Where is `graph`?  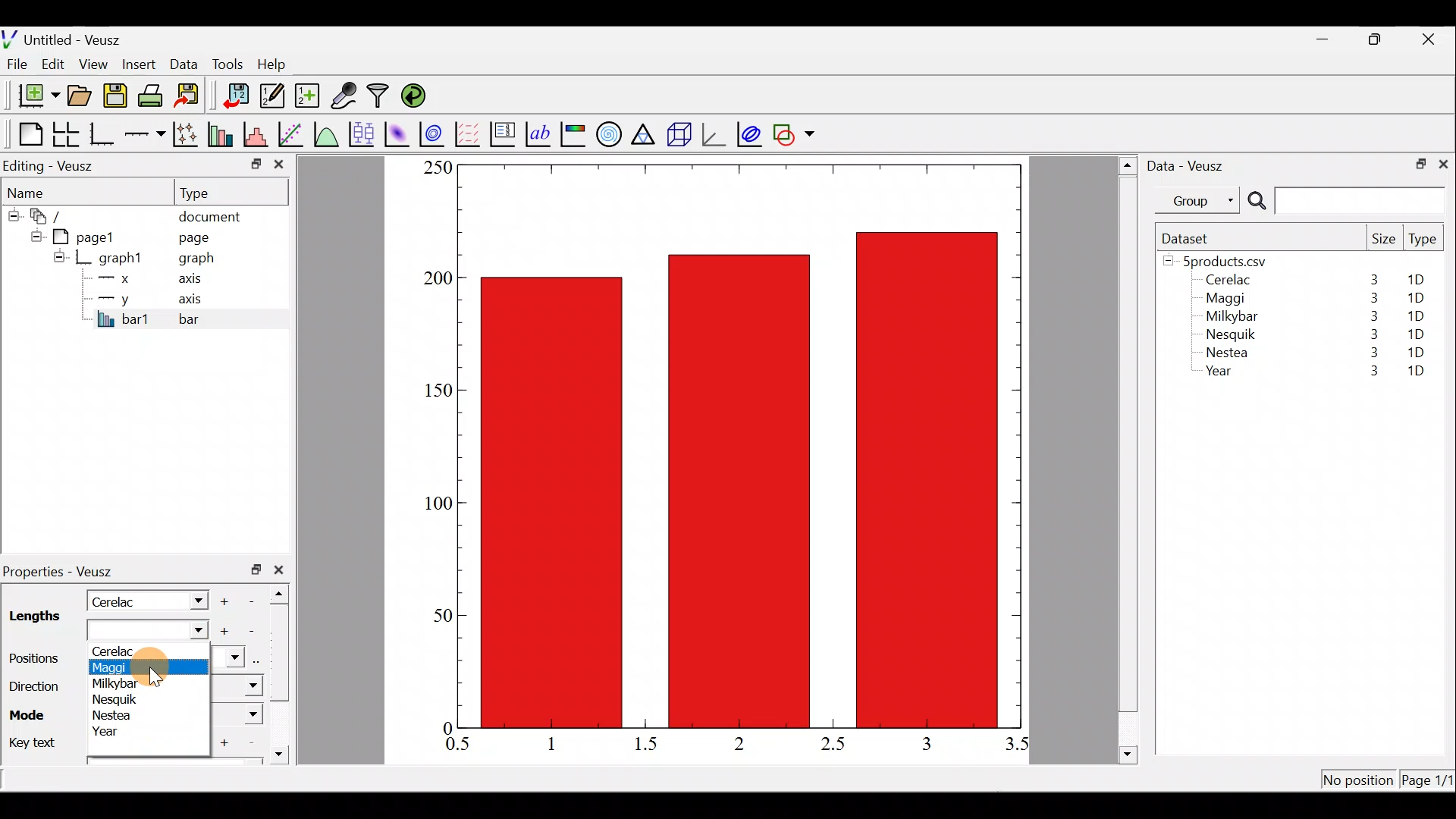 graph is located at coordinates (196, 260).